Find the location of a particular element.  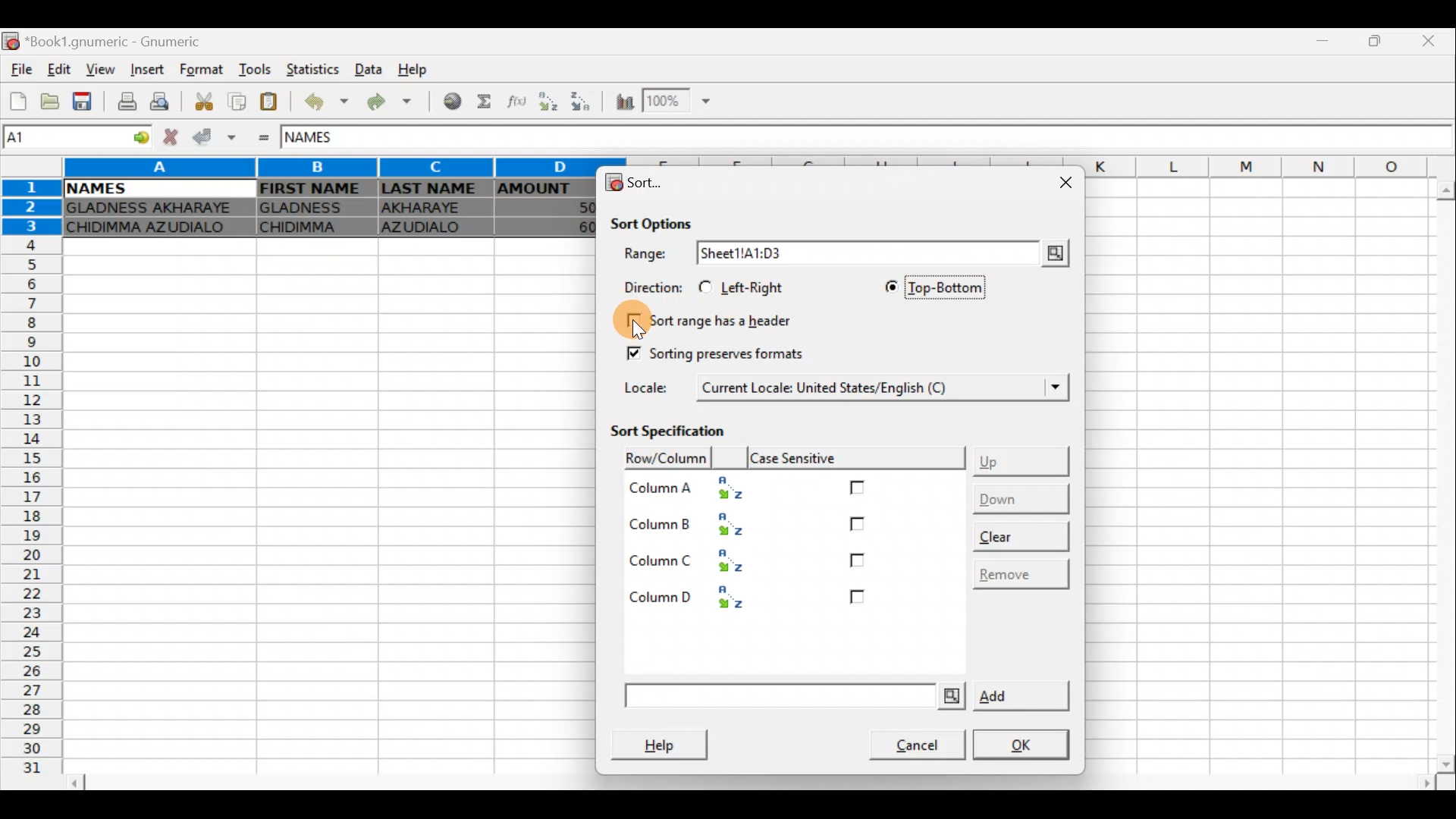

Insert is located at coordinates (150, 69).